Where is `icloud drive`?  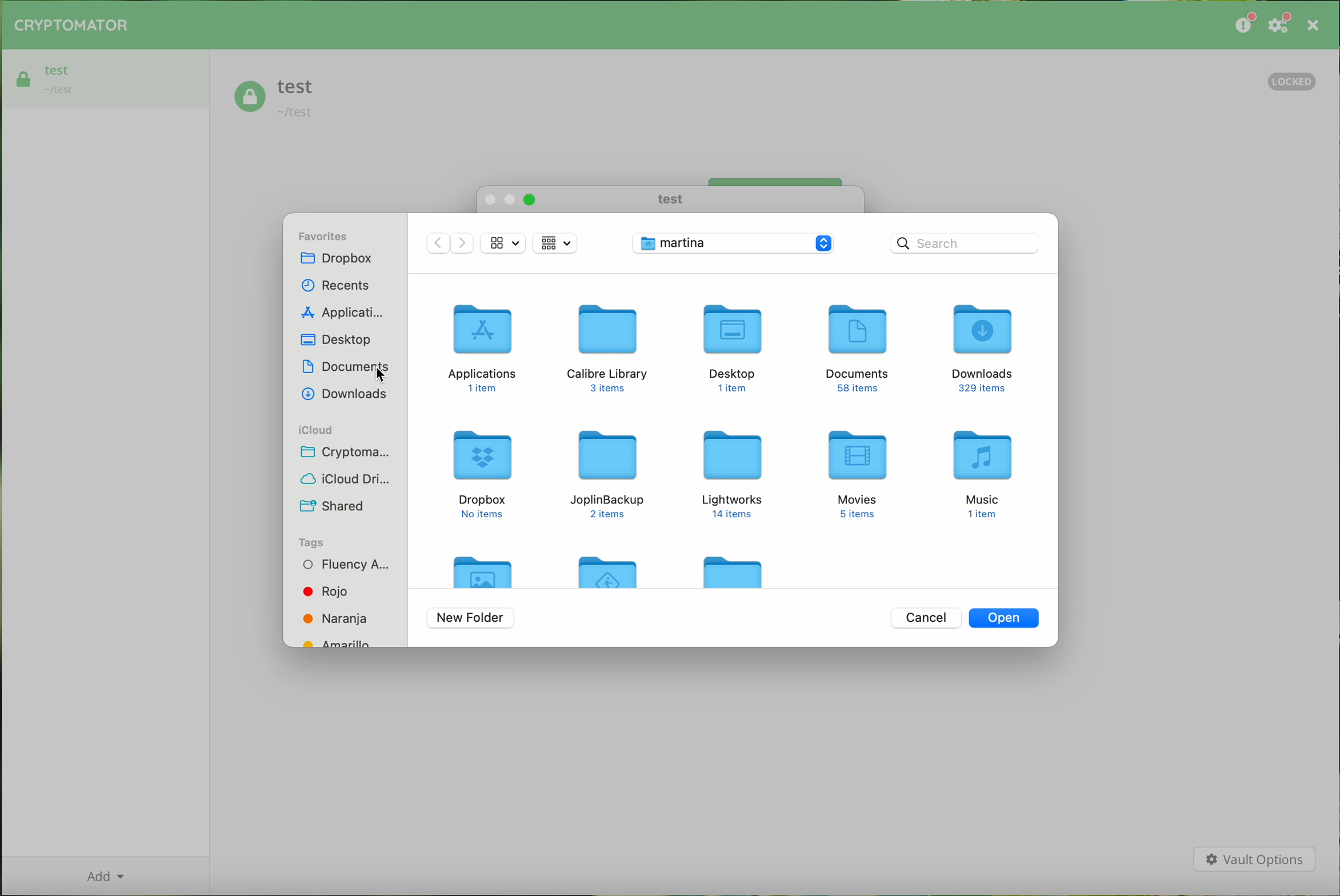 icloud drive is located at coordinates (347, 478).